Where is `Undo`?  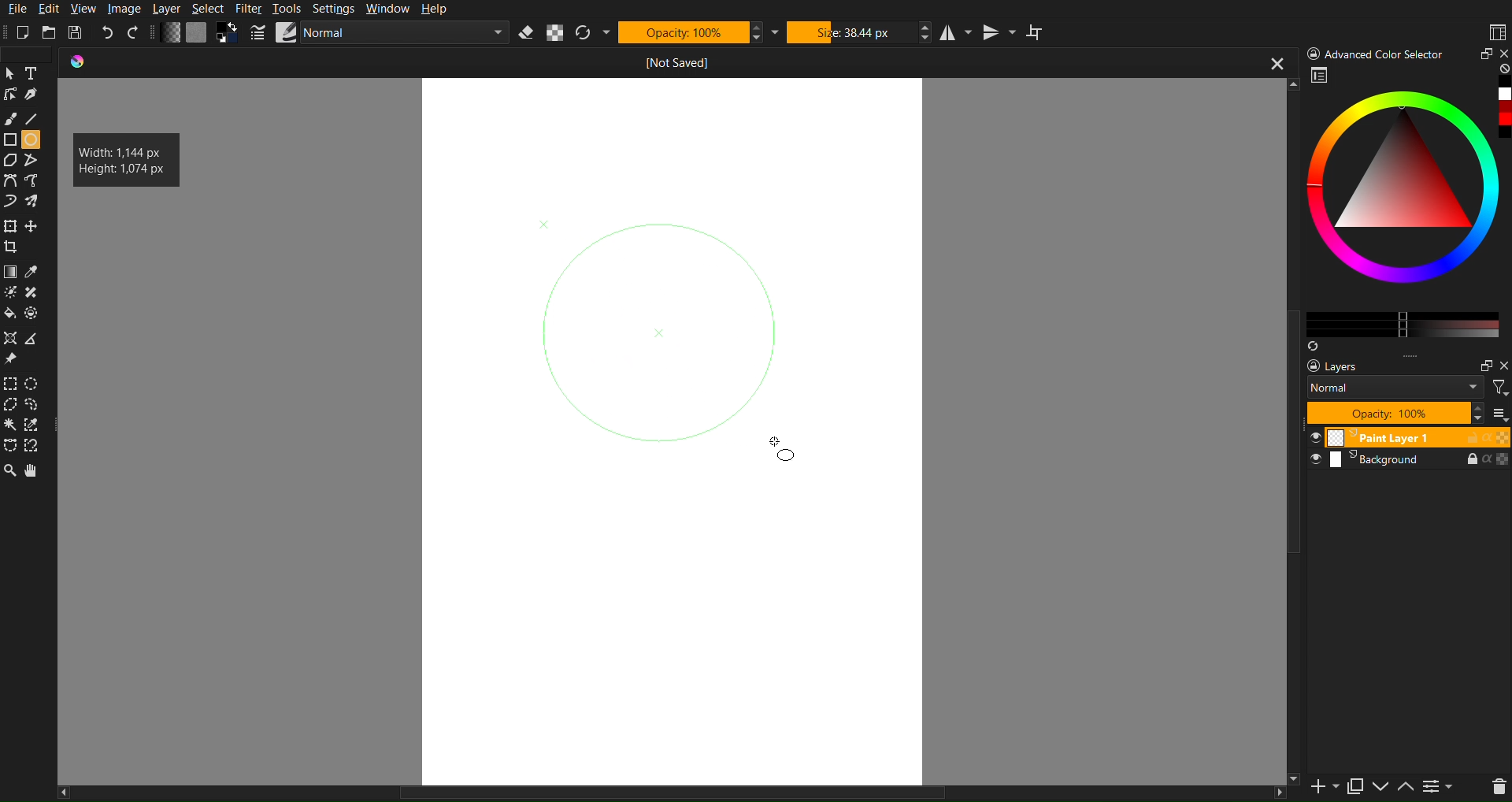 Undo is located at coordinates (107, 33).